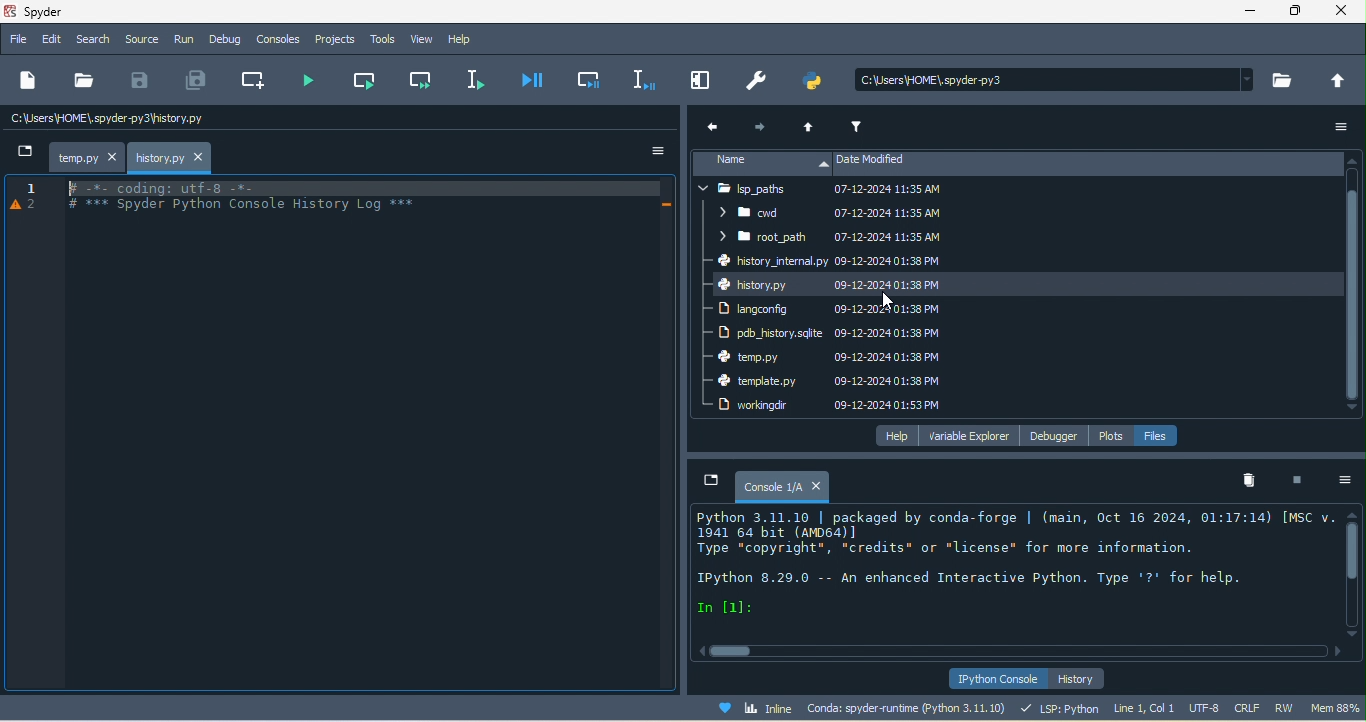 The image size is (1366, 722). What do you see at coordinates (117, 119) in the screenshot?
I see `c\users\home\spyder/temp.py` at bounding box center [117, 119].